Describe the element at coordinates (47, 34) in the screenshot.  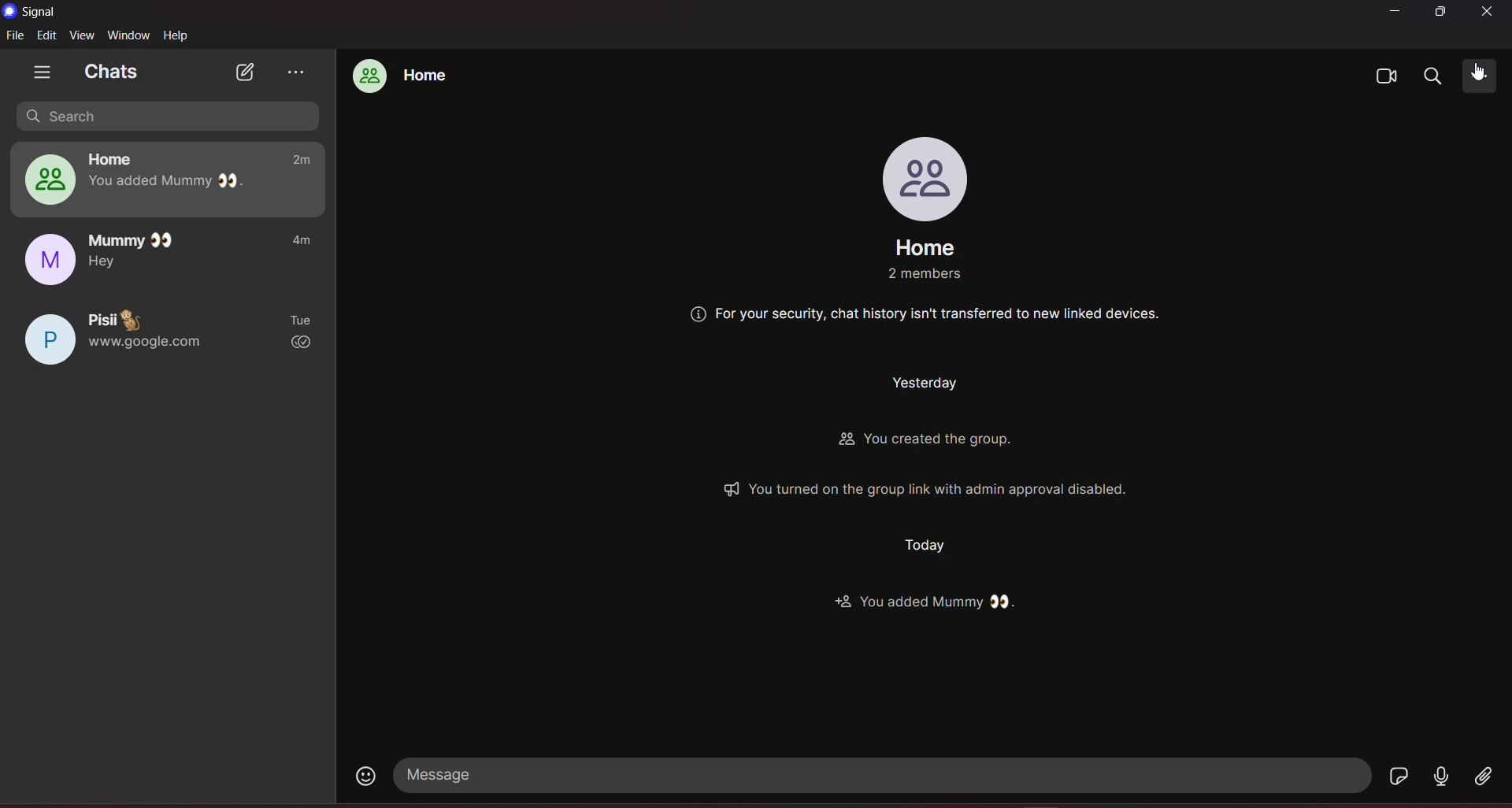
I see `edit` at that location.